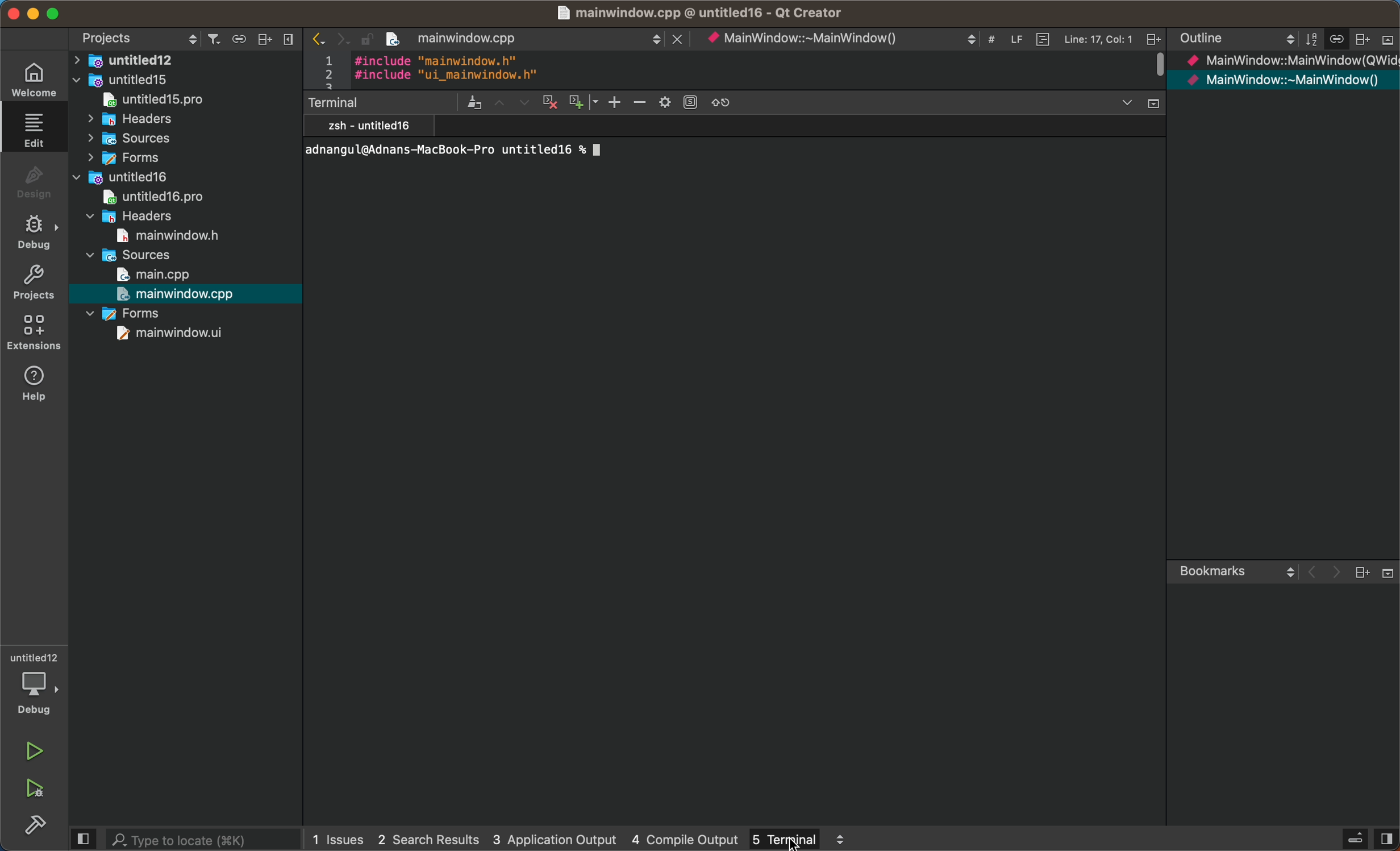 Image resolution: width=1400 pixels, height=851 pixels. I want to click on file path details, so click(699, 14).